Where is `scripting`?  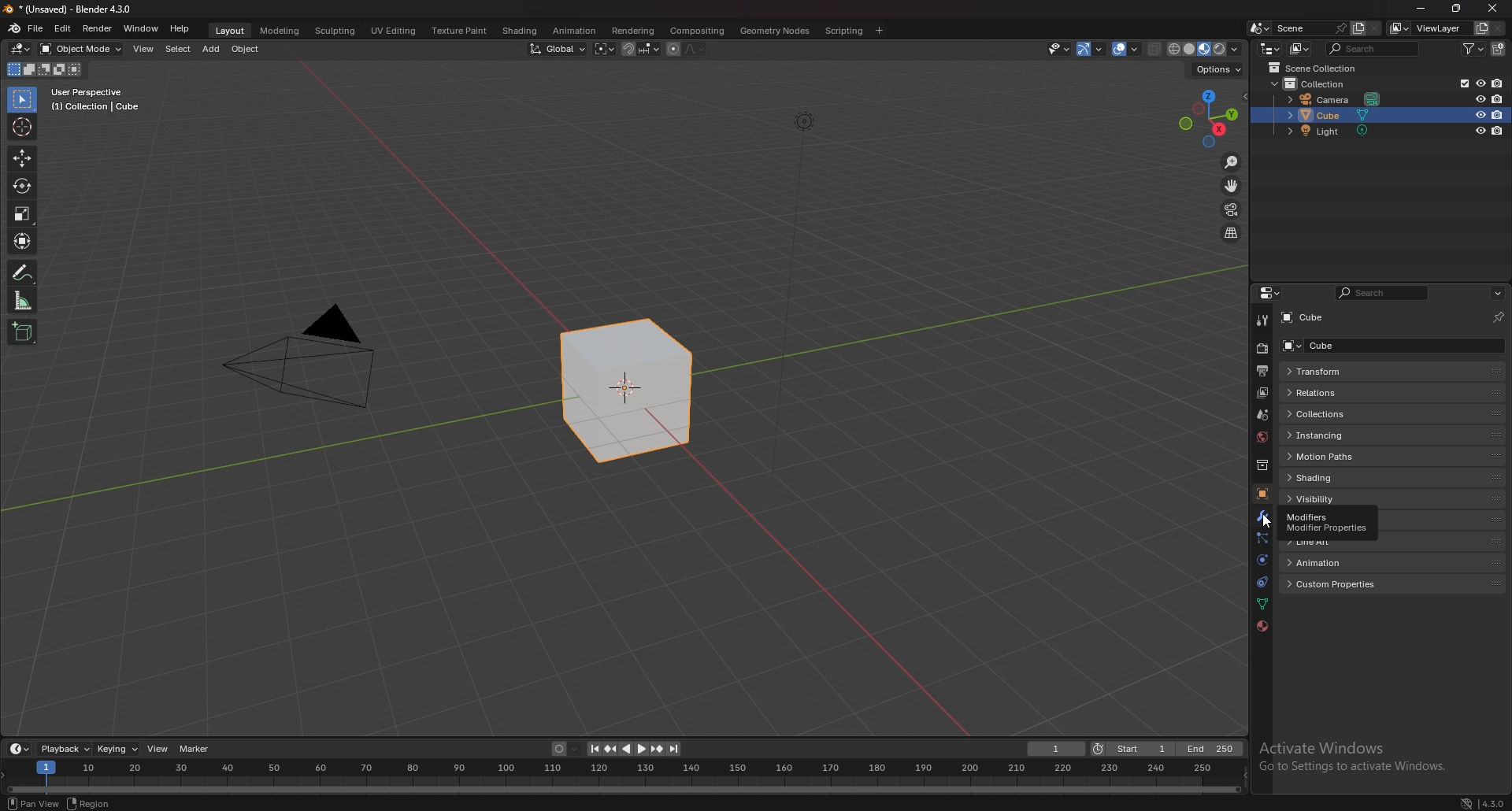 scripting is located at coordinates (843, 31).